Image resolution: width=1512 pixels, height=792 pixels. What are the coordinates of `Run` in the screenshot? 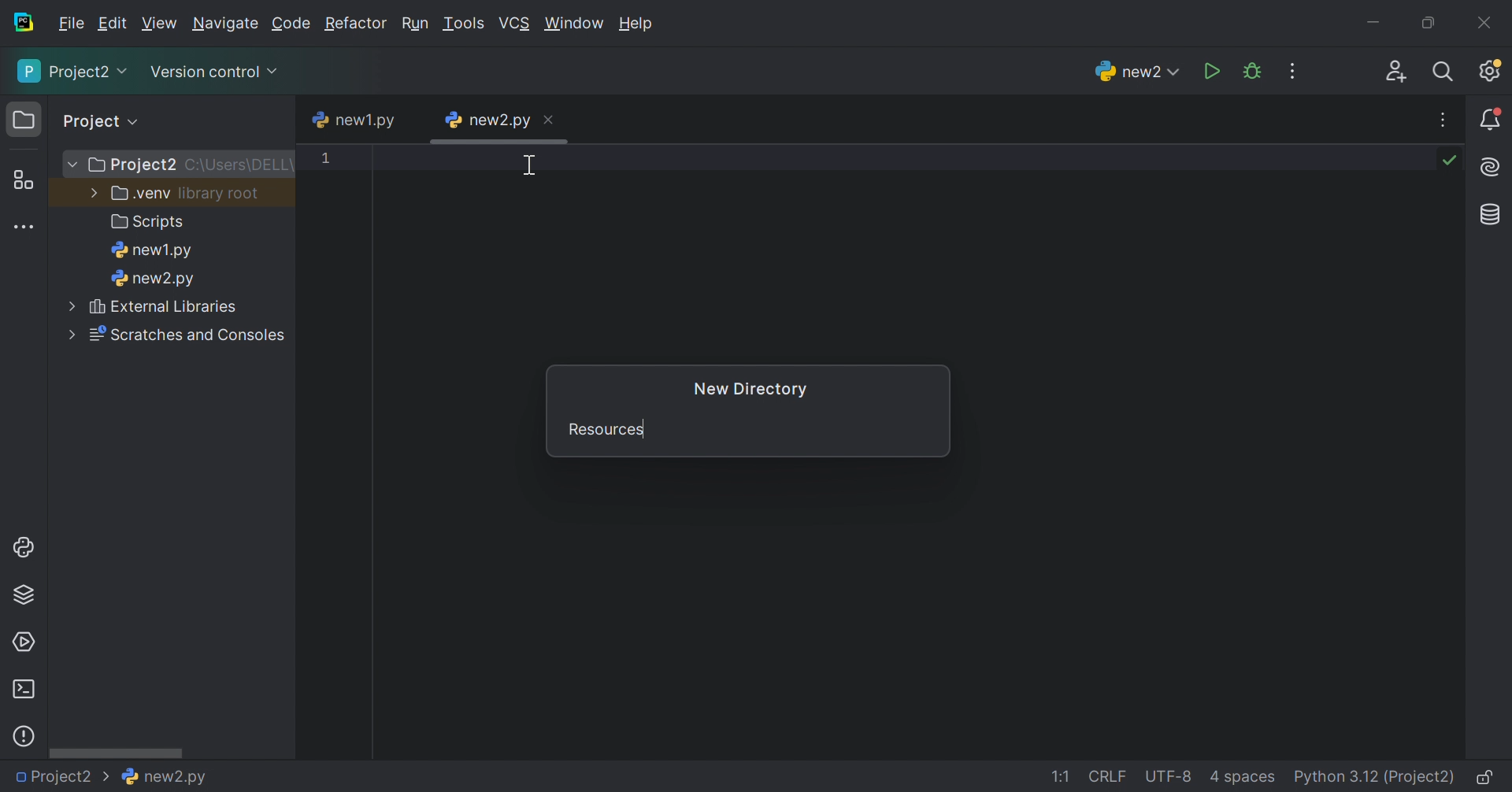 It's located at (1213, 72).